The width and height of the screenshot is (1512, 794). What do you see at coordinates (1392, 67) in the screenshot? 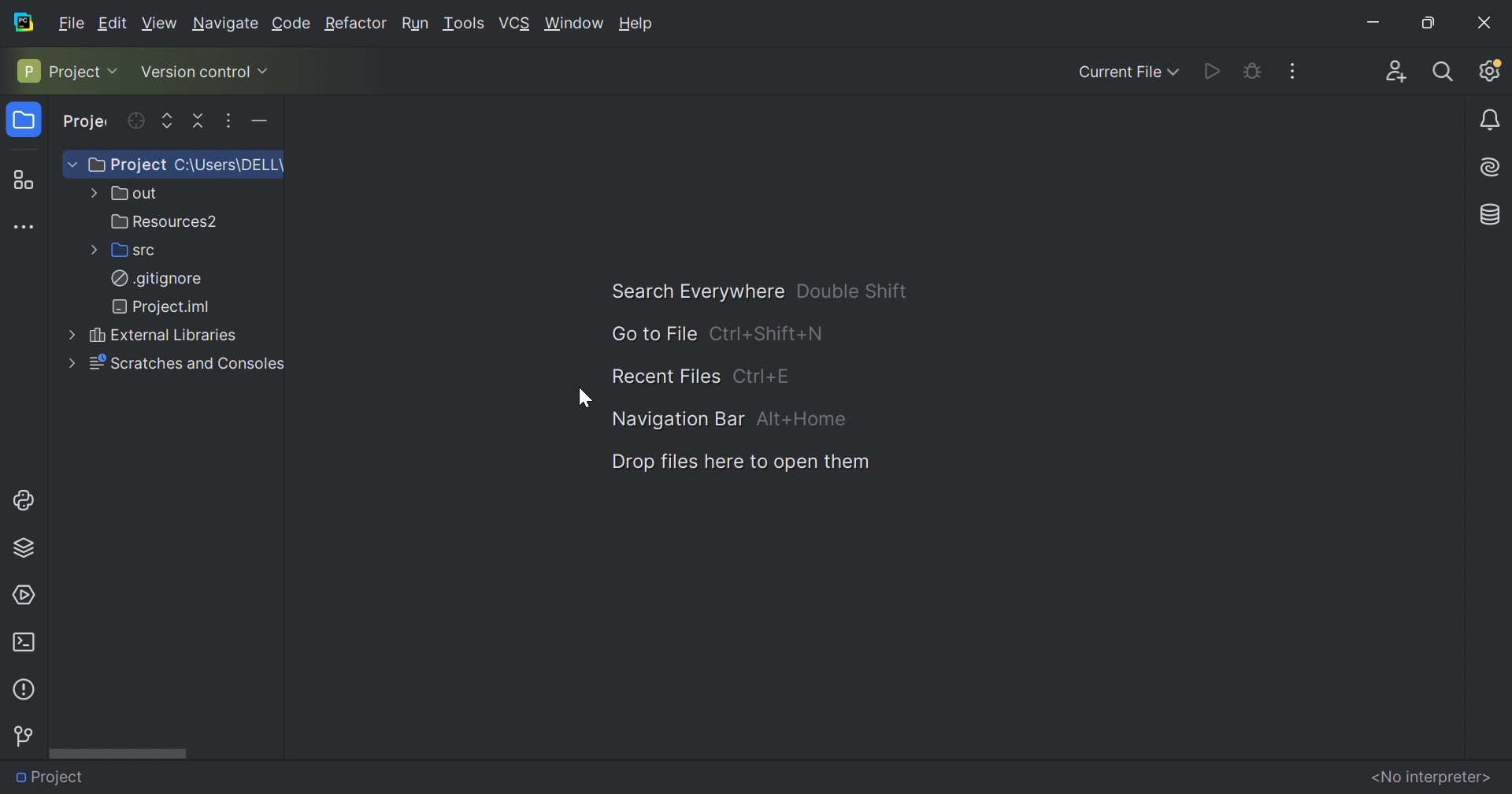
I see `Code with me` at bounding box center [1392, 67].